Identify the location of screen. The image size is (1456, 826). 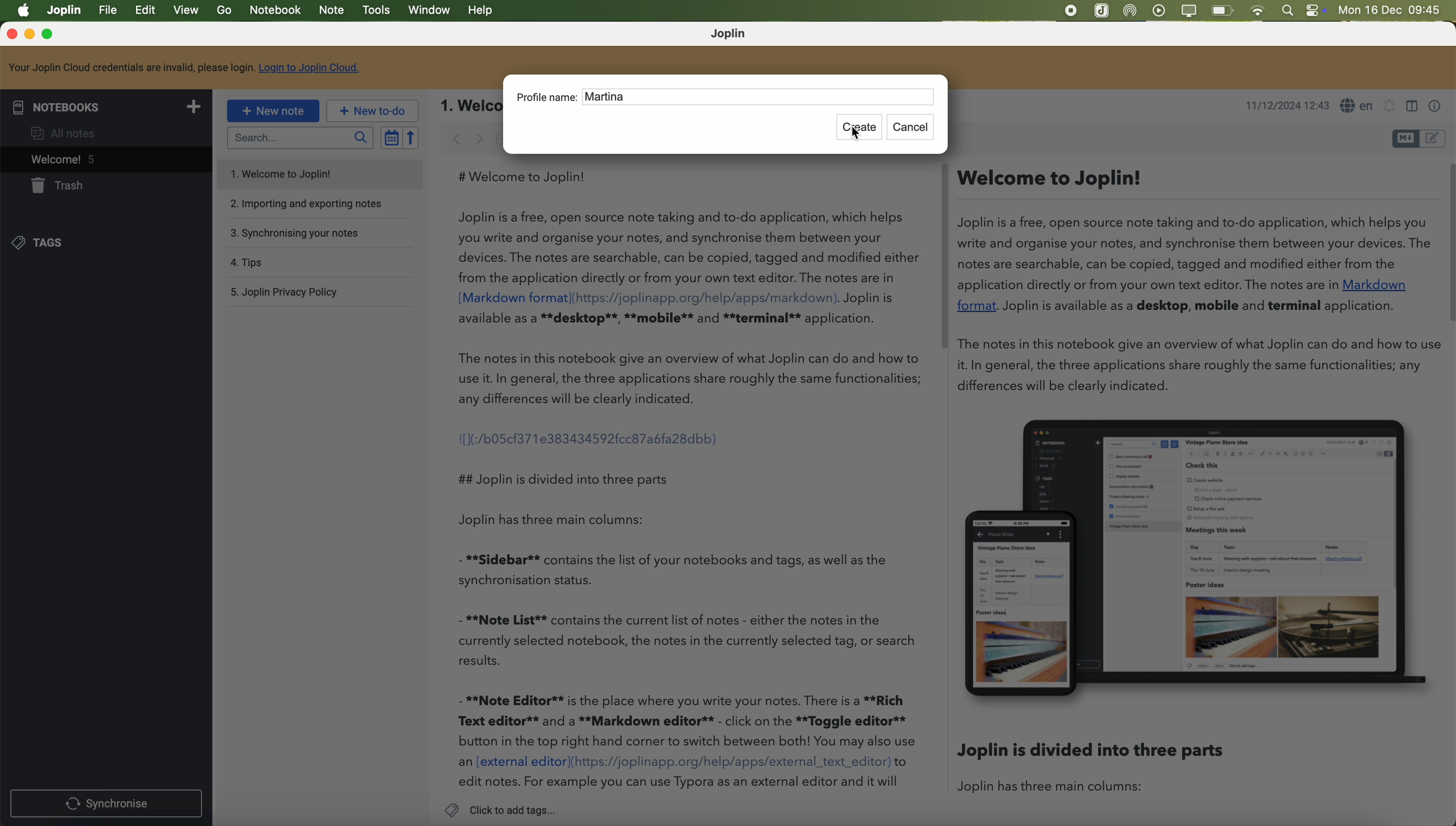
(1189, 11).